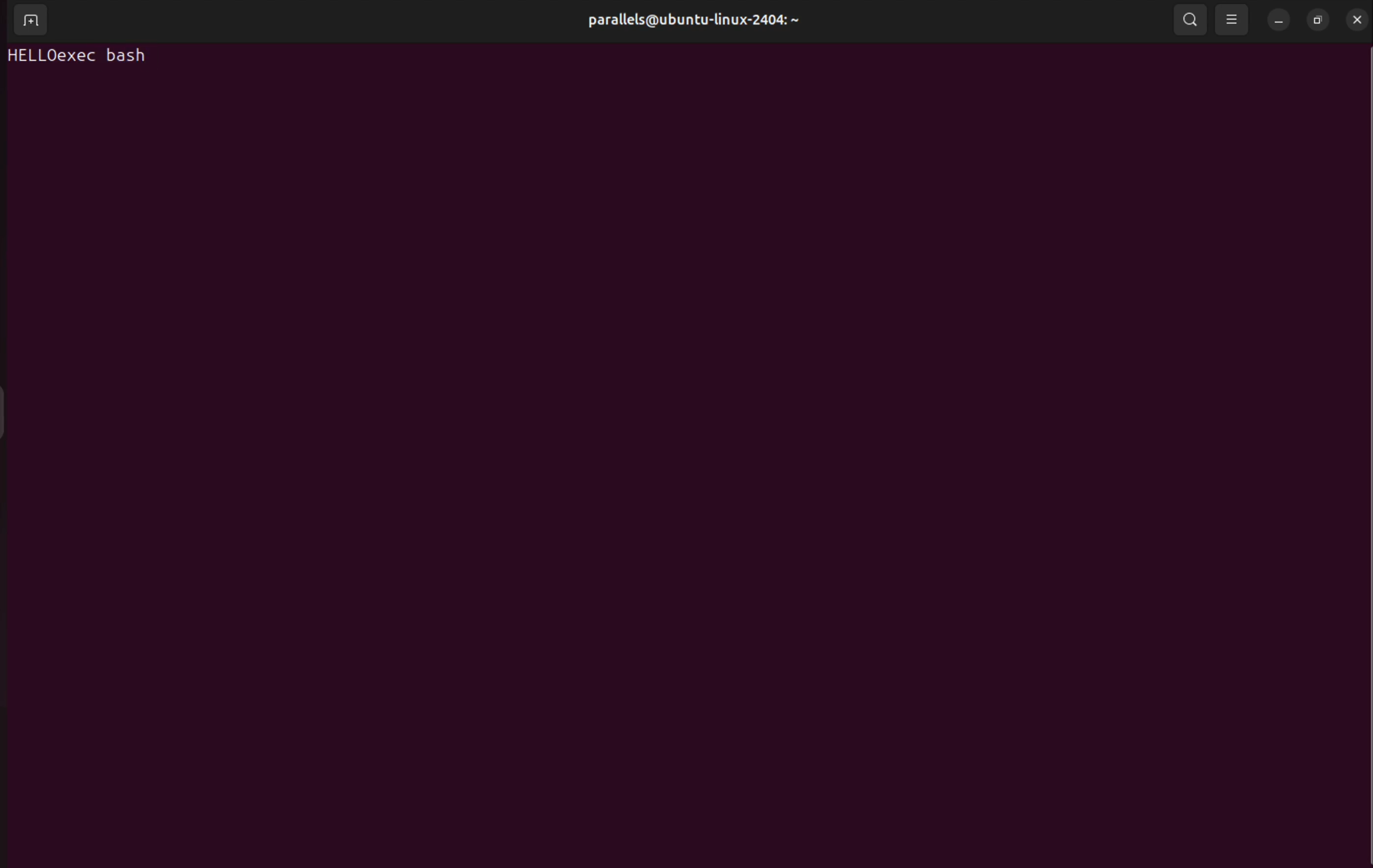 The height and width of the screenshot is (868, 1373). What do you see at coordinates (1232, 19) in the screenshot?
I see `view options` at bounding box center [1232, 19].